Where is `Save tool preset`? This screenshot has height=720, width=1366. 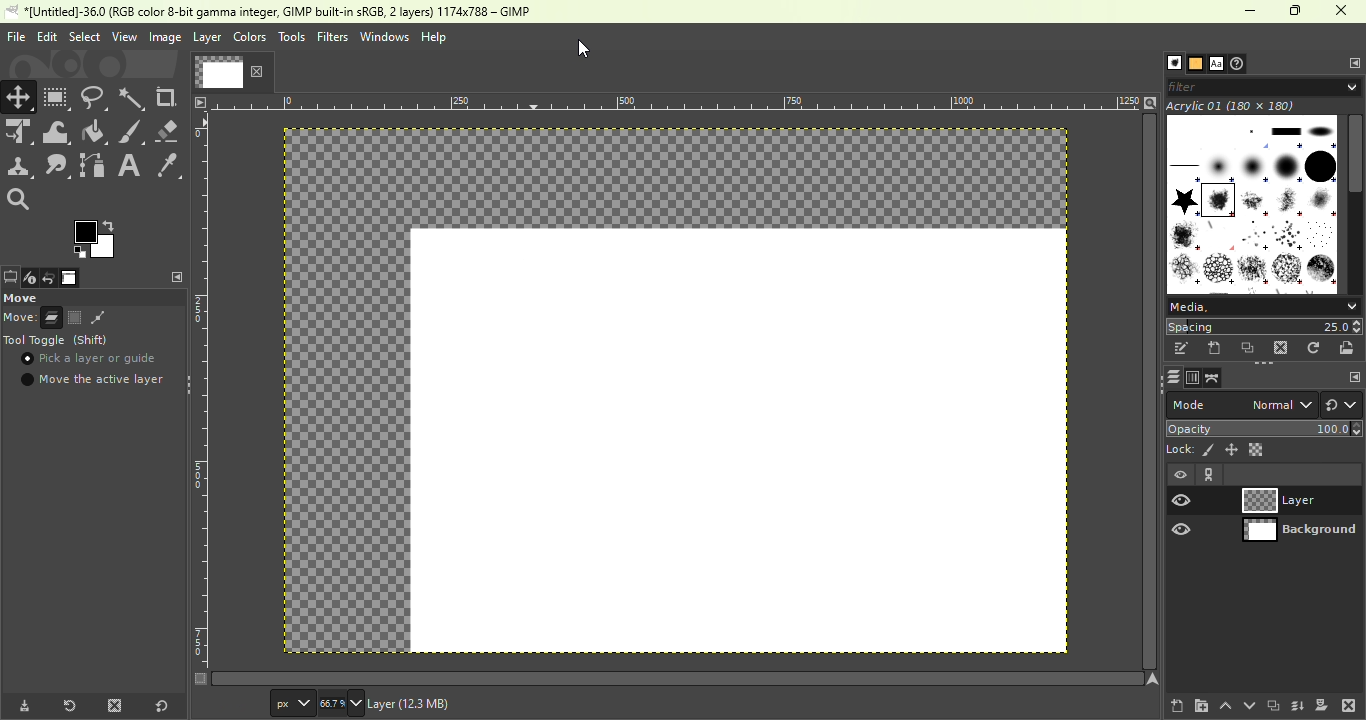 Save tool preset is located at coordinates (22, 707).